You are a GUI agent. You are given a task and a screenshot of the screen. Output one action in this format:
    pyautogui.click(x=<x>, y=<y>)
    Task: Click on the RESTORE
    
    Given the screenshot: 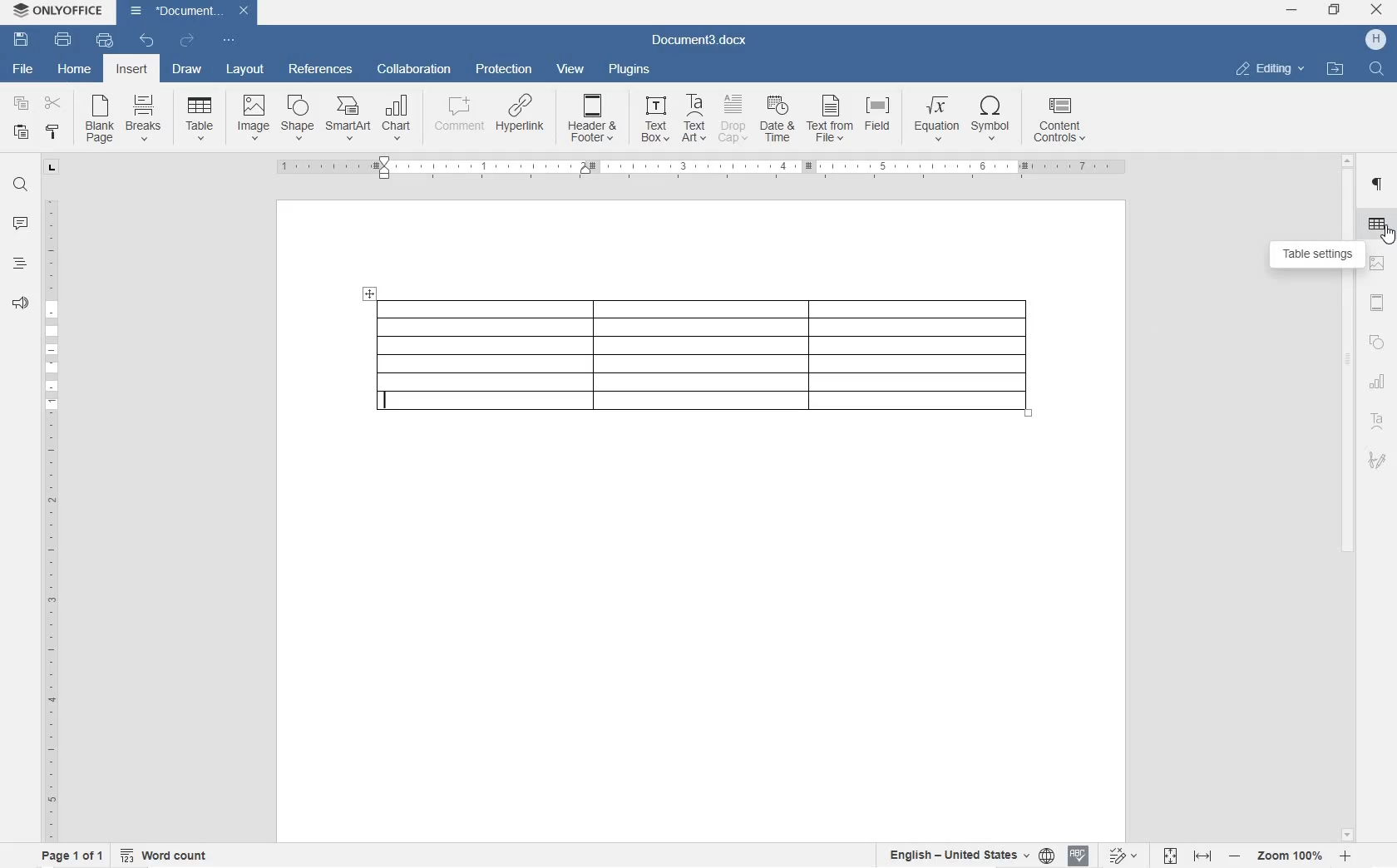 What is the action you would take?
    pyautogui.click(x=1335, y=12)
    